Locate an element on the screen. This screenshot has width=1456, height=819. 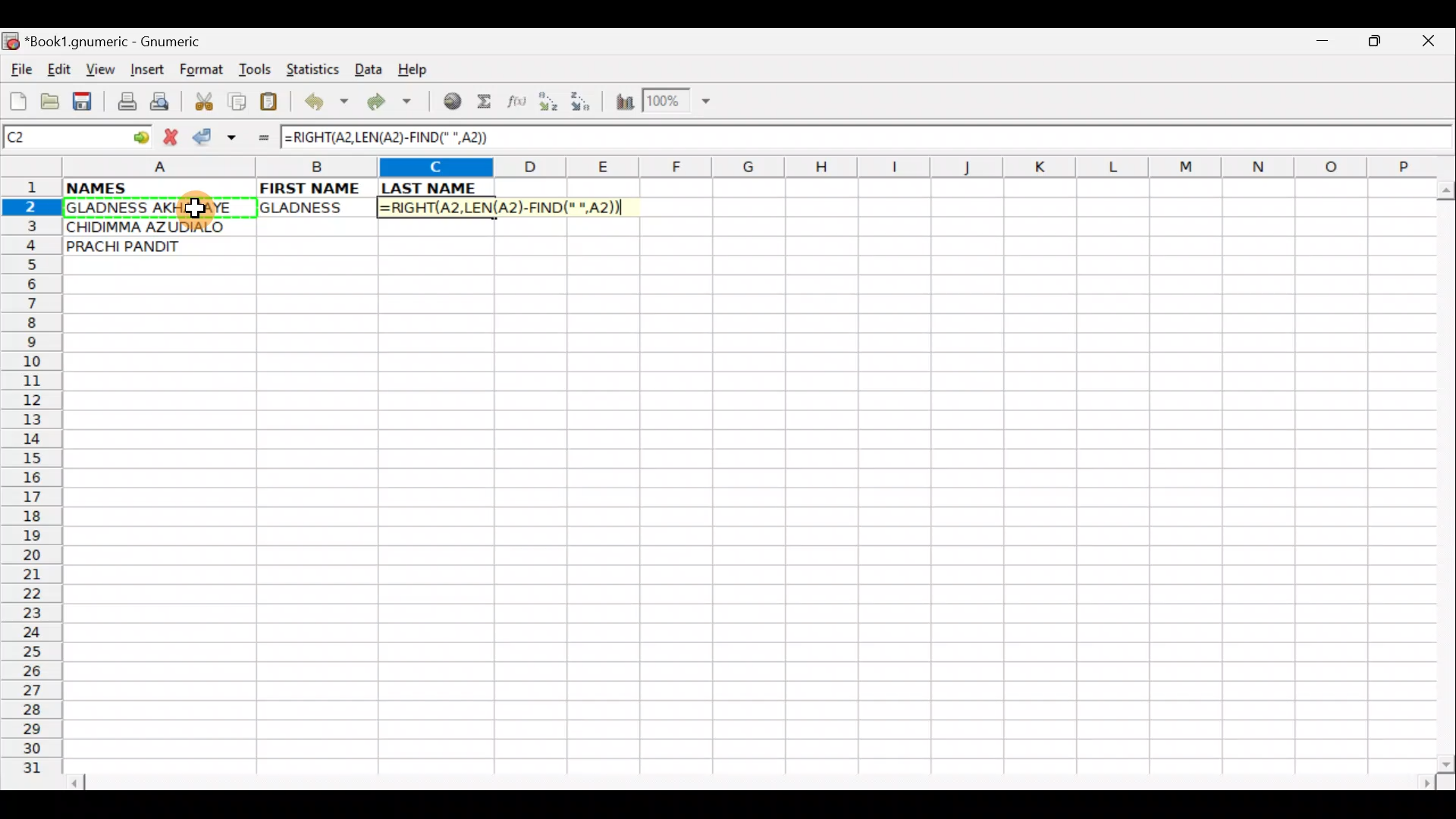
Sum in the current cell is located at coordinates (489, 102).